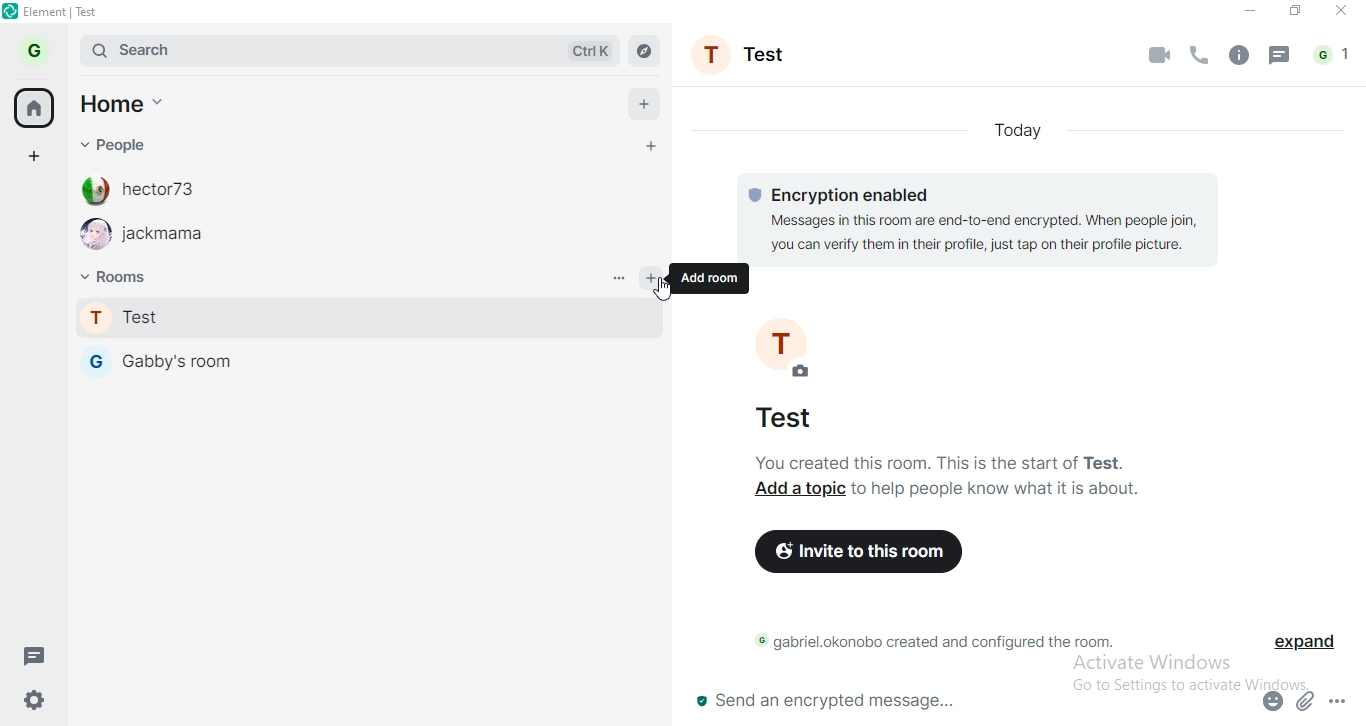  Describe the element at coordinates (1340, 701) in the screenshot. I see `options` at that location.